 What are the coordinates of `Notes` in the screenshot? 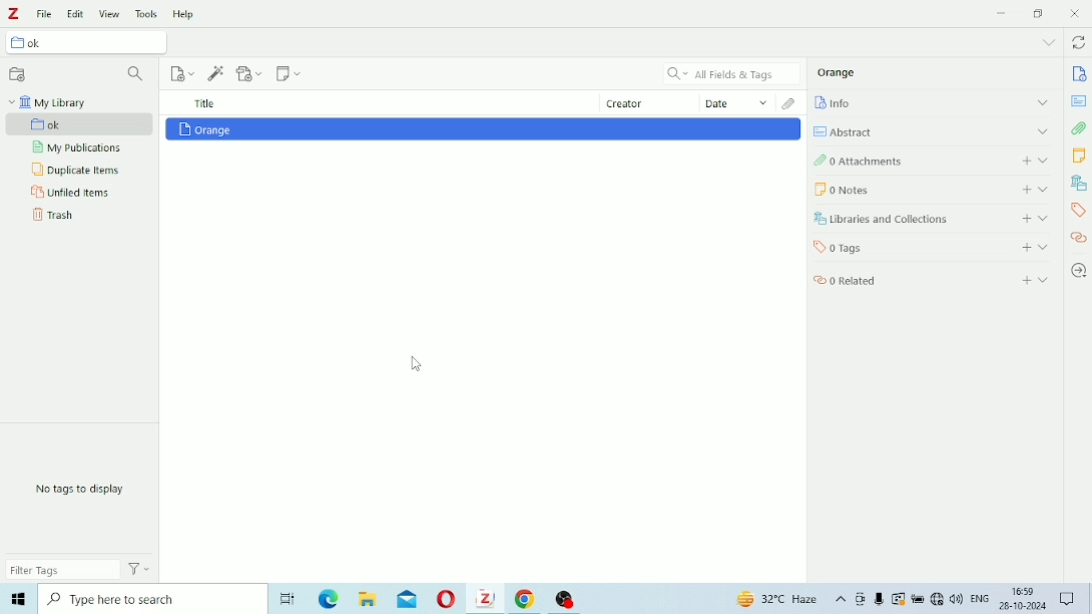 It's located at (1078, 155).